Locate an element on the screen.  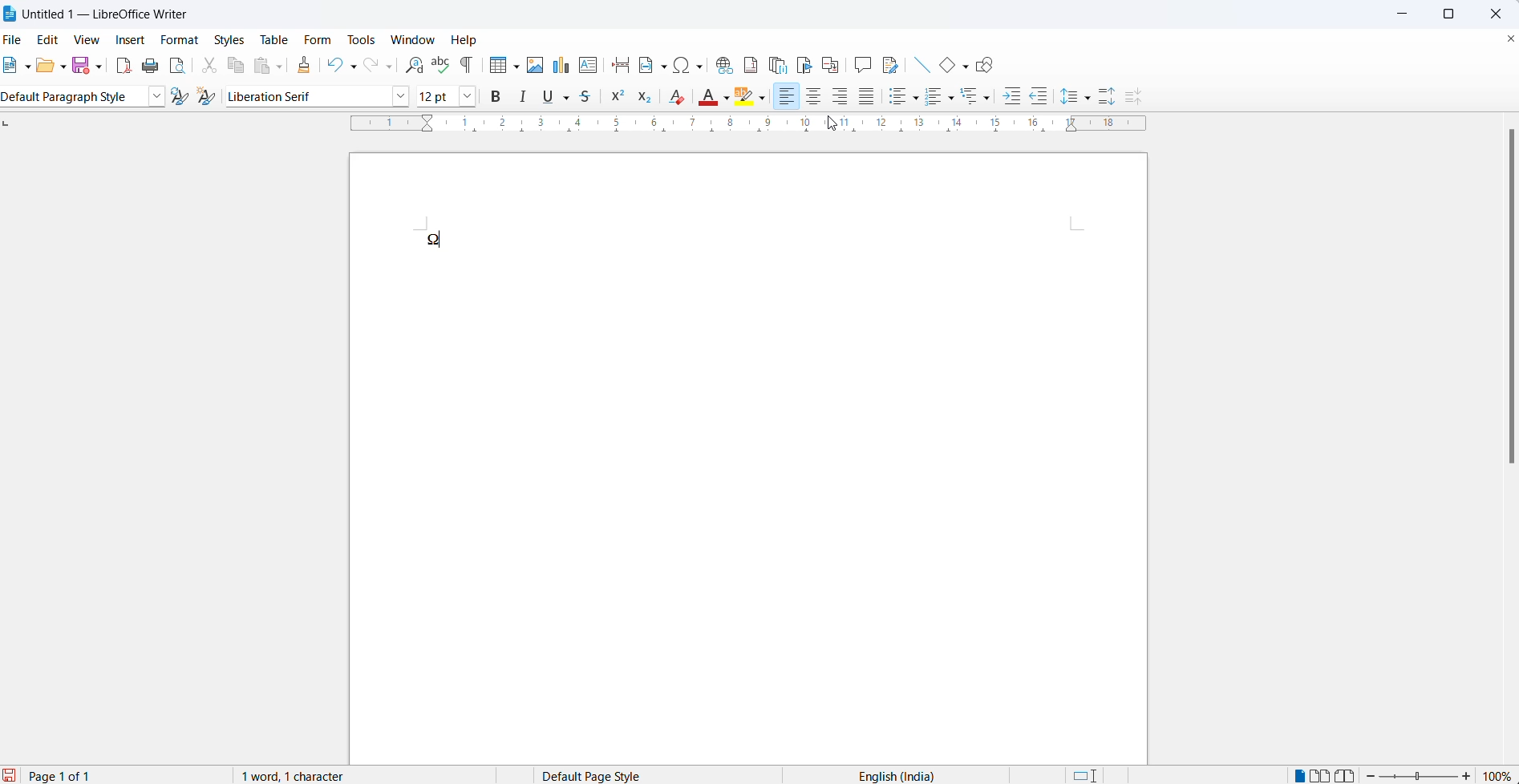
bold is located at coordinates (499, 96).